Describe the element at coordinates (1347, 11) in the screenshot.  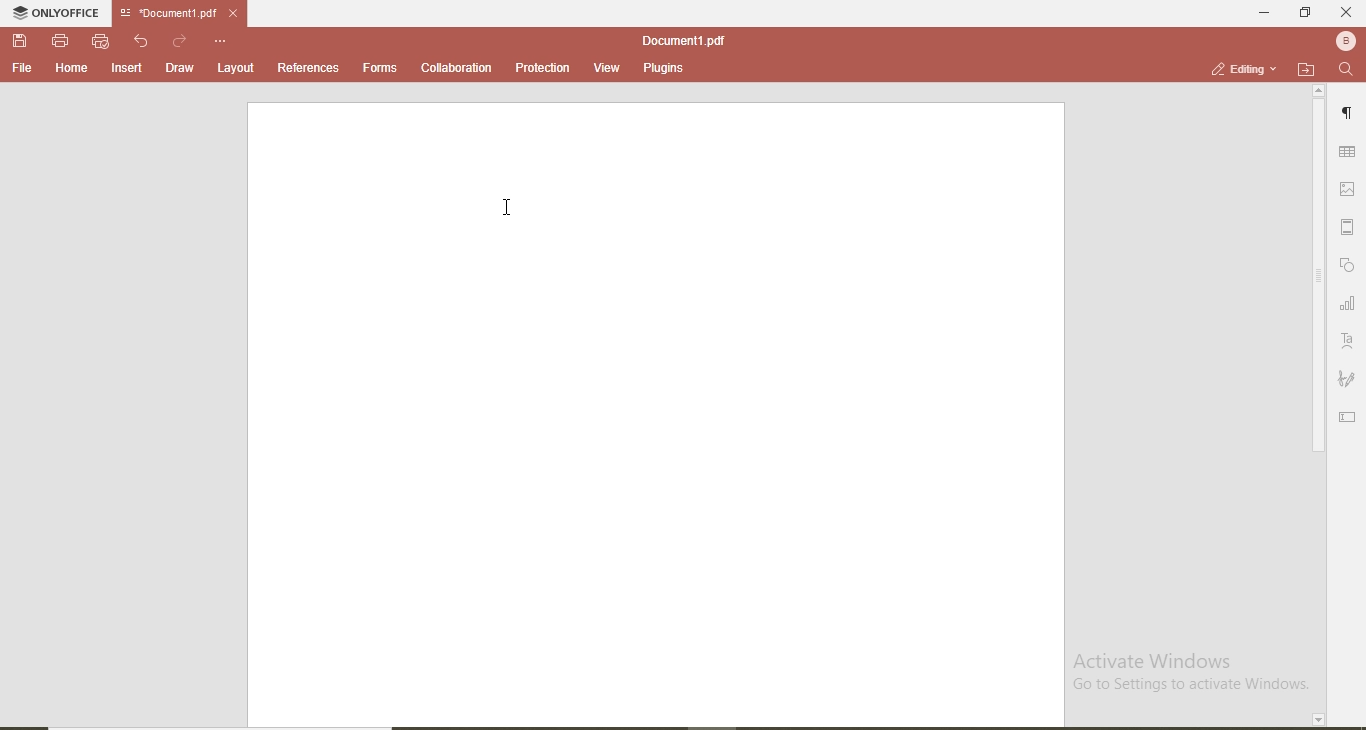
I see `close` at that location.